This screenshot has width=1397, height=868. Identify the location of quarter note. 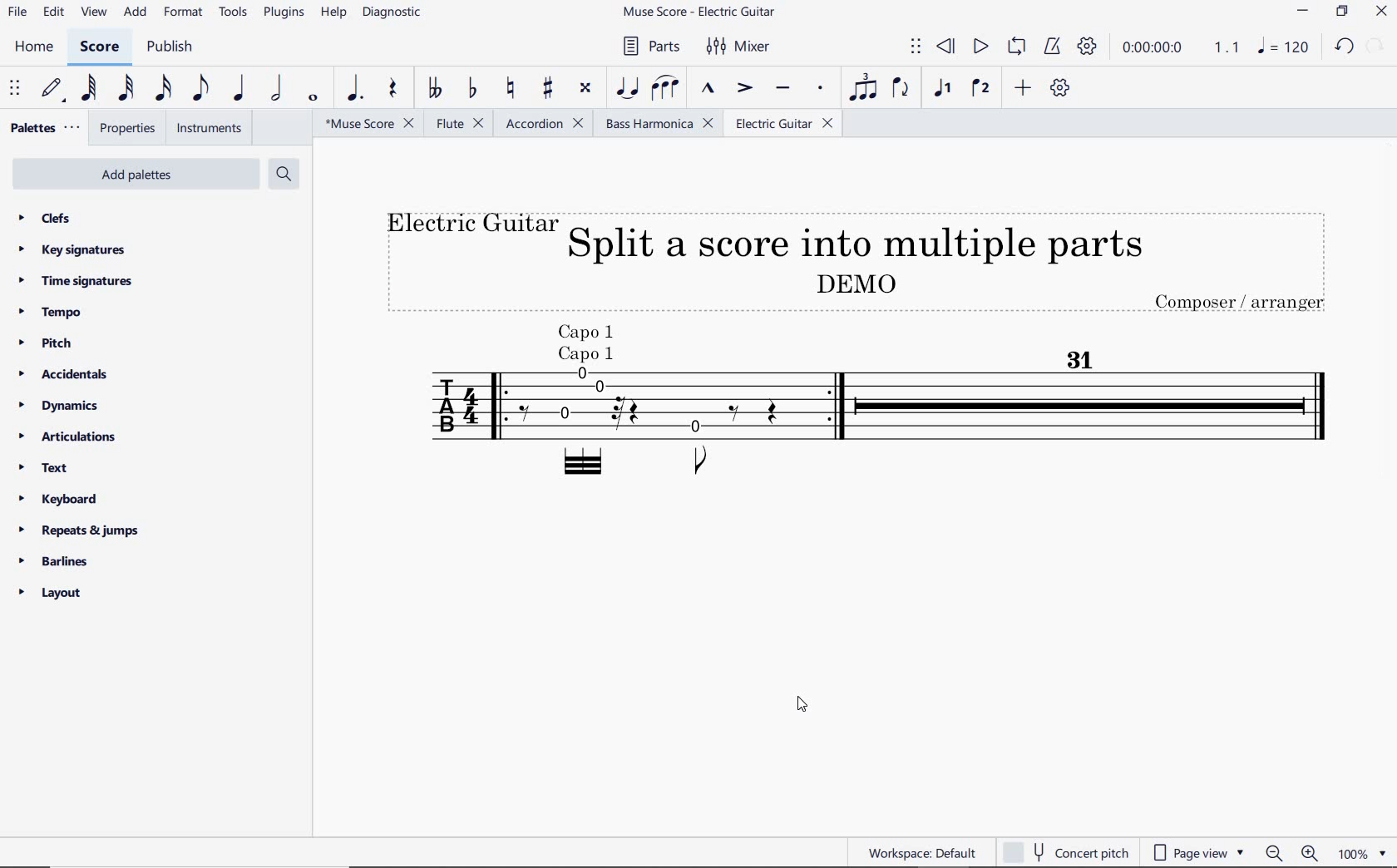
(241, 86).